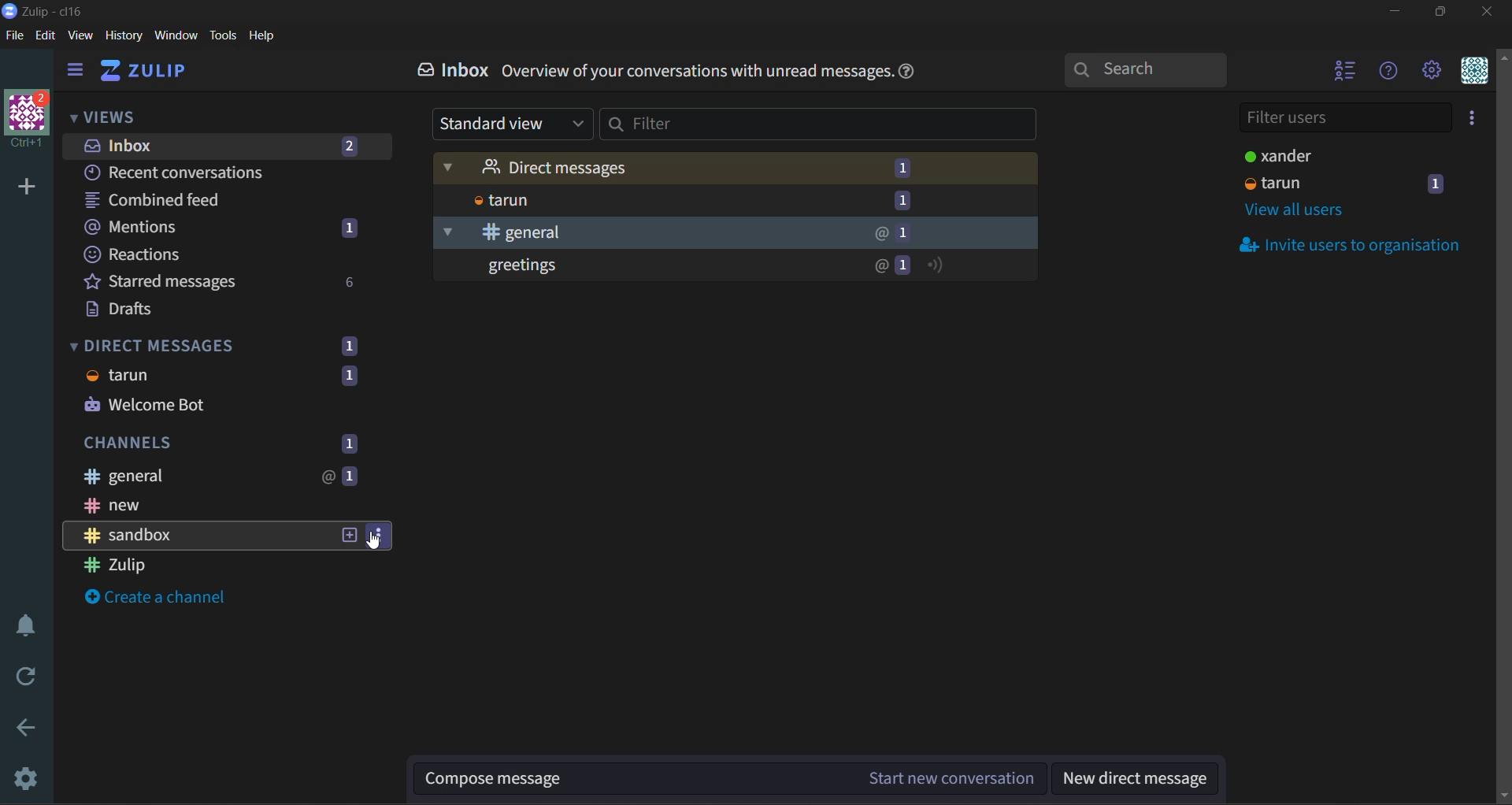 The width and height of the screenshot is (1512, 805). I want to click on invite users to organisation, so click(1469, 121).